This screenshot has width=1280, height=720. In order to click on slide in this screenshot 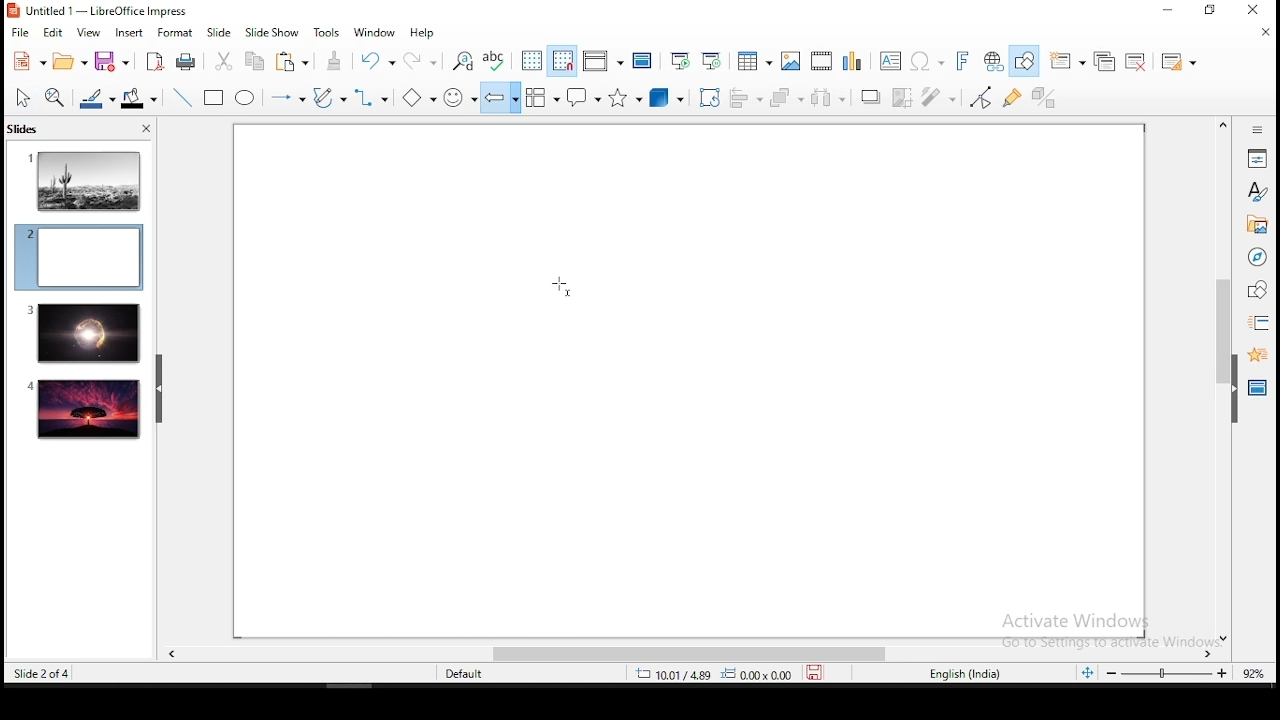, I will do `click(82, 333)`.